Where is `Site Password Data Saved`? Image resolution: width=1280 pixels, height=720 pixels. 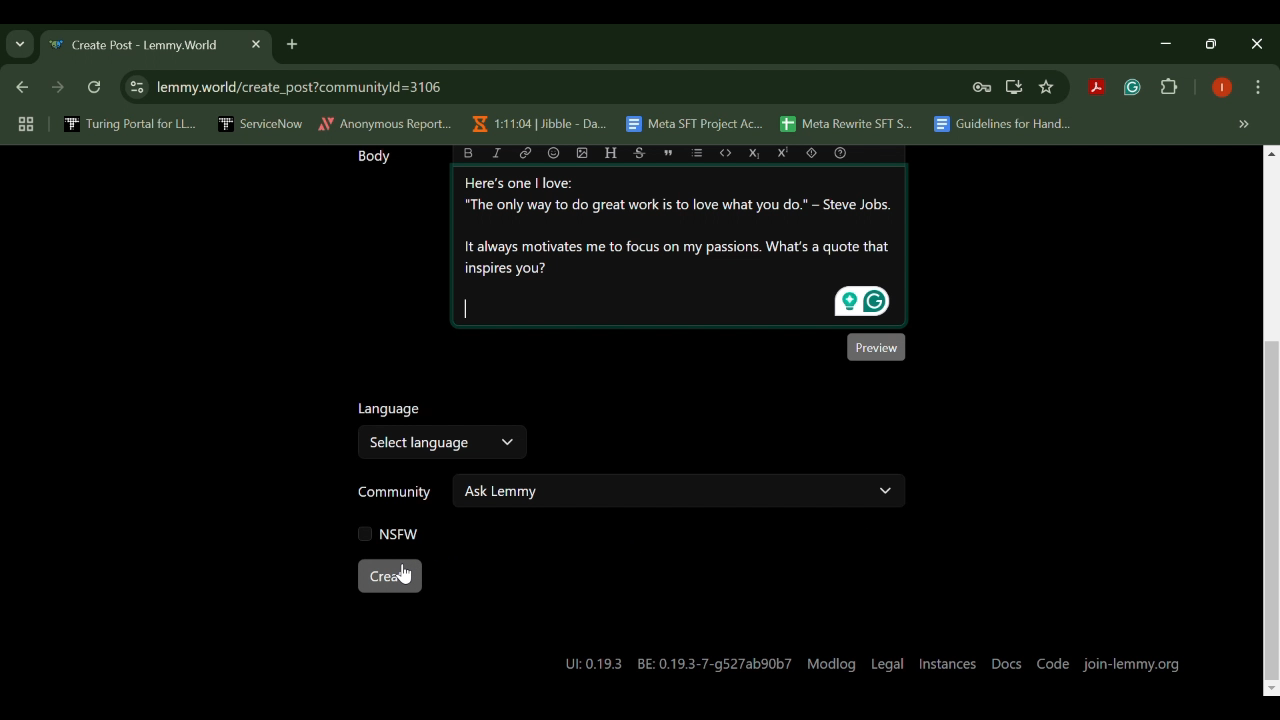 Site Password Data Saved is located at coordinates (982, 88).